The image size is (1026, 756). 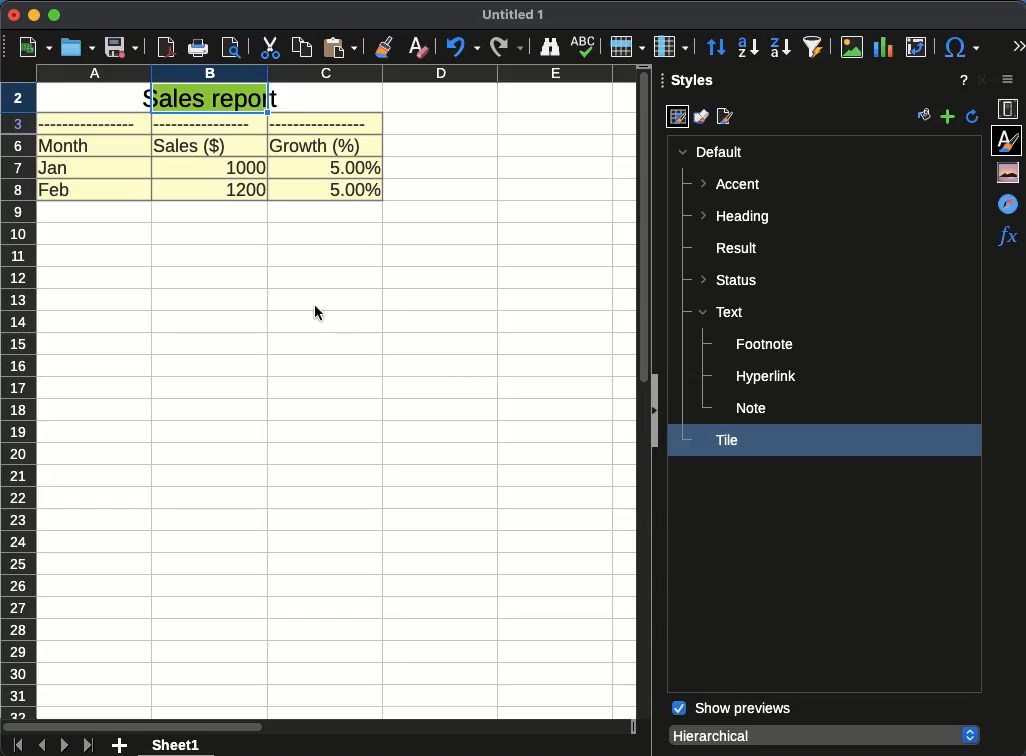 What do you see at coordinates (548, 47) in the screenshot?
I see `finder` at bounding box center [548, 47].